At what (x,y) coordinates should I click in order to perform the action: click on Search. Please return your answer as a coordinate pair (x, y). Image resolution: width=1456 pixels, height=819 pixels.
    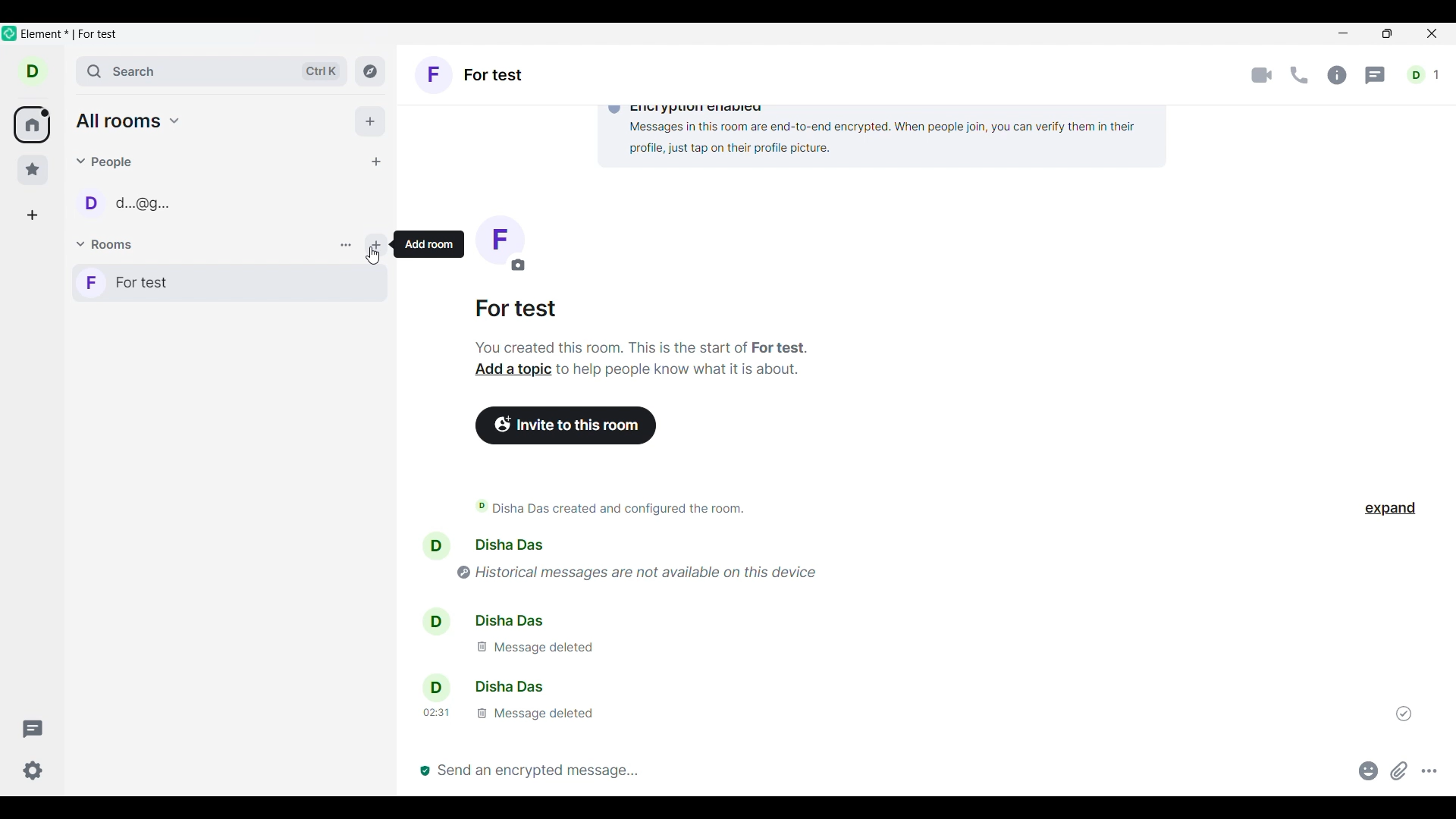
    Looking at the image, I should click on (212, 71).